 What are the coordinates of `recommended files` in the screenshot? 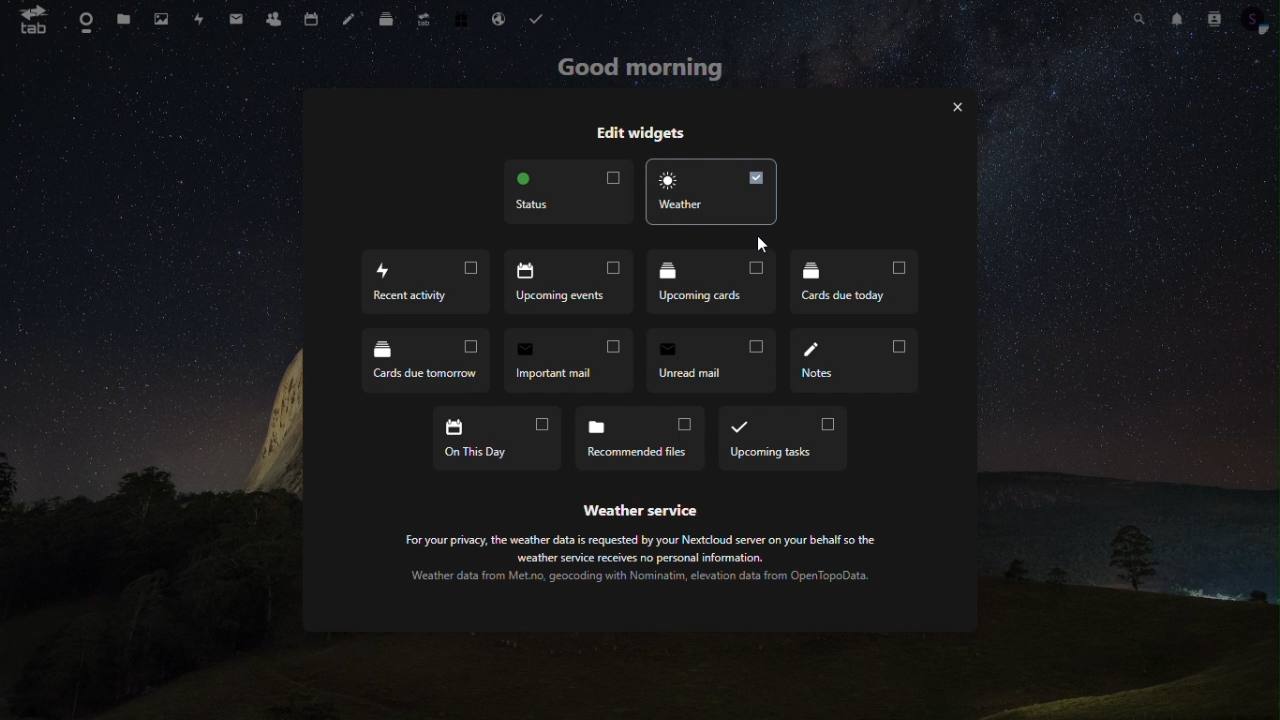 It's located at (640, 435).